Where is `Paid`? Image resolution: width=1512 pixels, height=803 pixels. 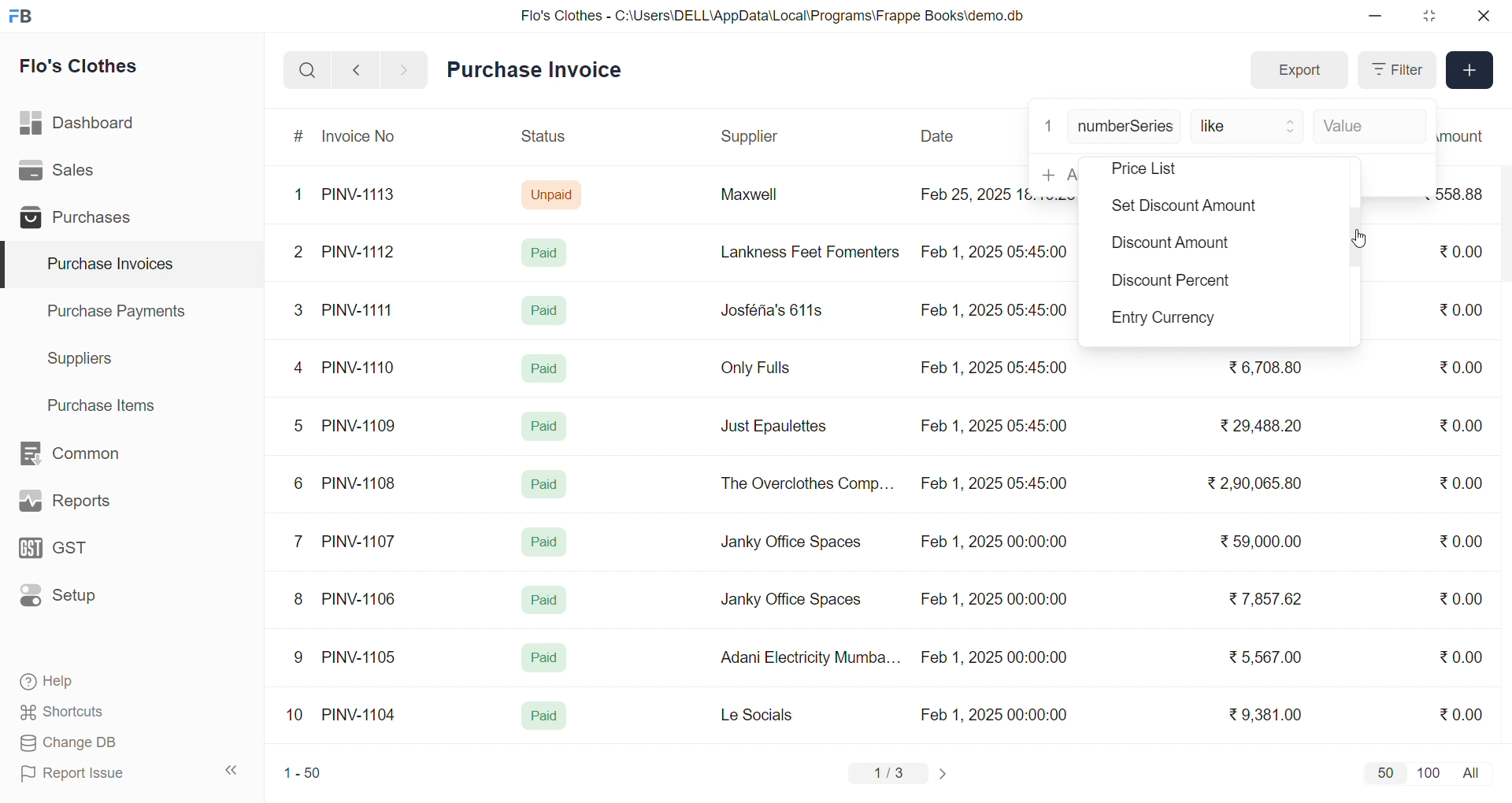 Paid is located at coordinates (543, 658).